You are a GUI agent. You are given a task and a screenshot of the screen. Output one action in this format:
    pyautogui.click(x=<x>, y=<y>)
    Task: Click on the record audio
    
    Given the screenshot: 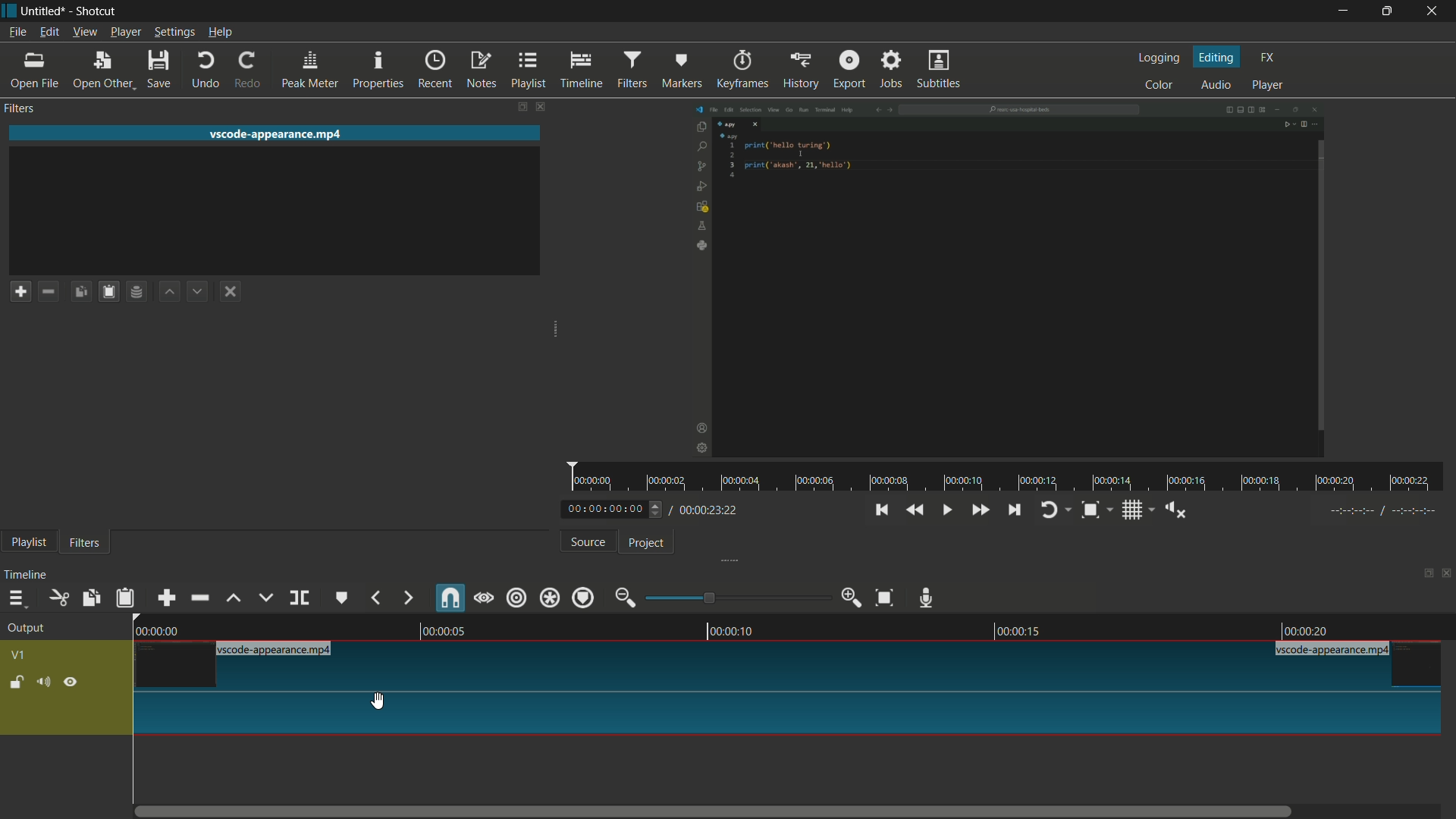 What is the action you would take?
    pyautogui.click(x=927, y=596)
    